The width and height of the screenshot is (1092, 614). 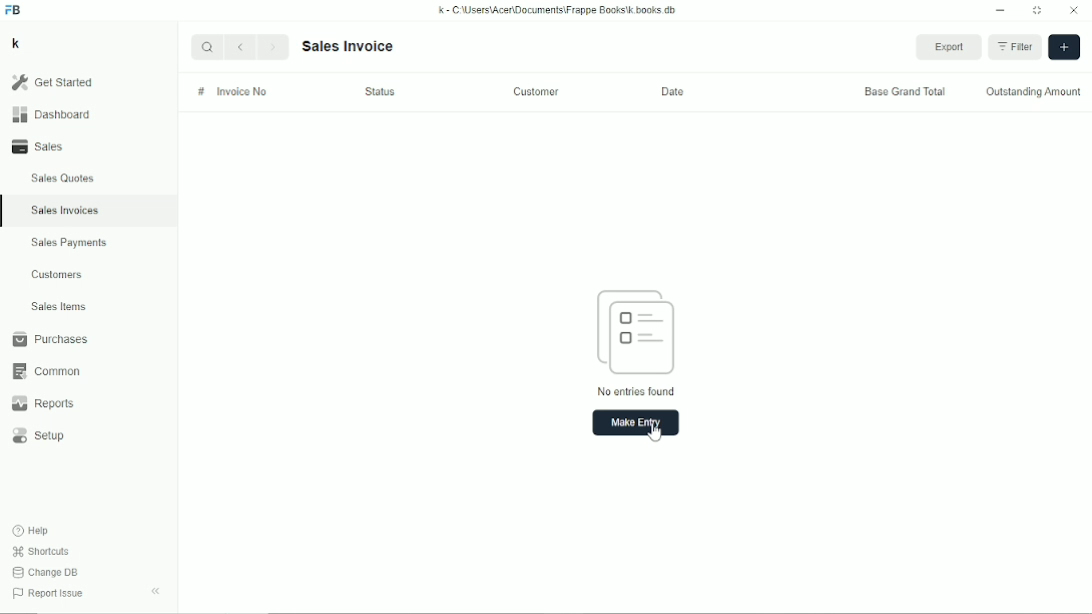 What do you see at coordinates (14, 10) in the screenshot?
I see `FB` at bounding box center [14, 10].